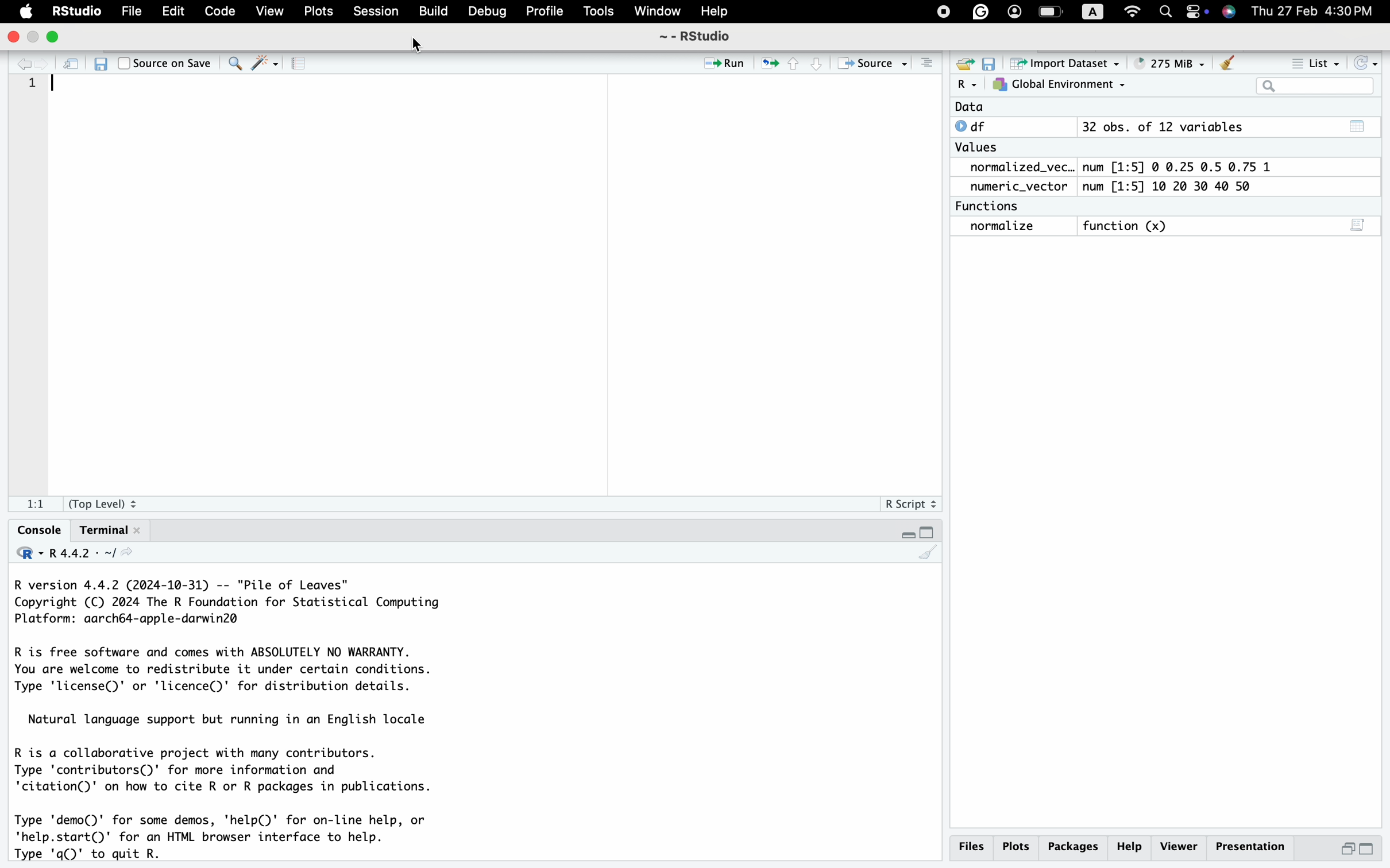 This screenshot has height=868, width=1390. I want to click on 264 MiB, so click(1173, 63).